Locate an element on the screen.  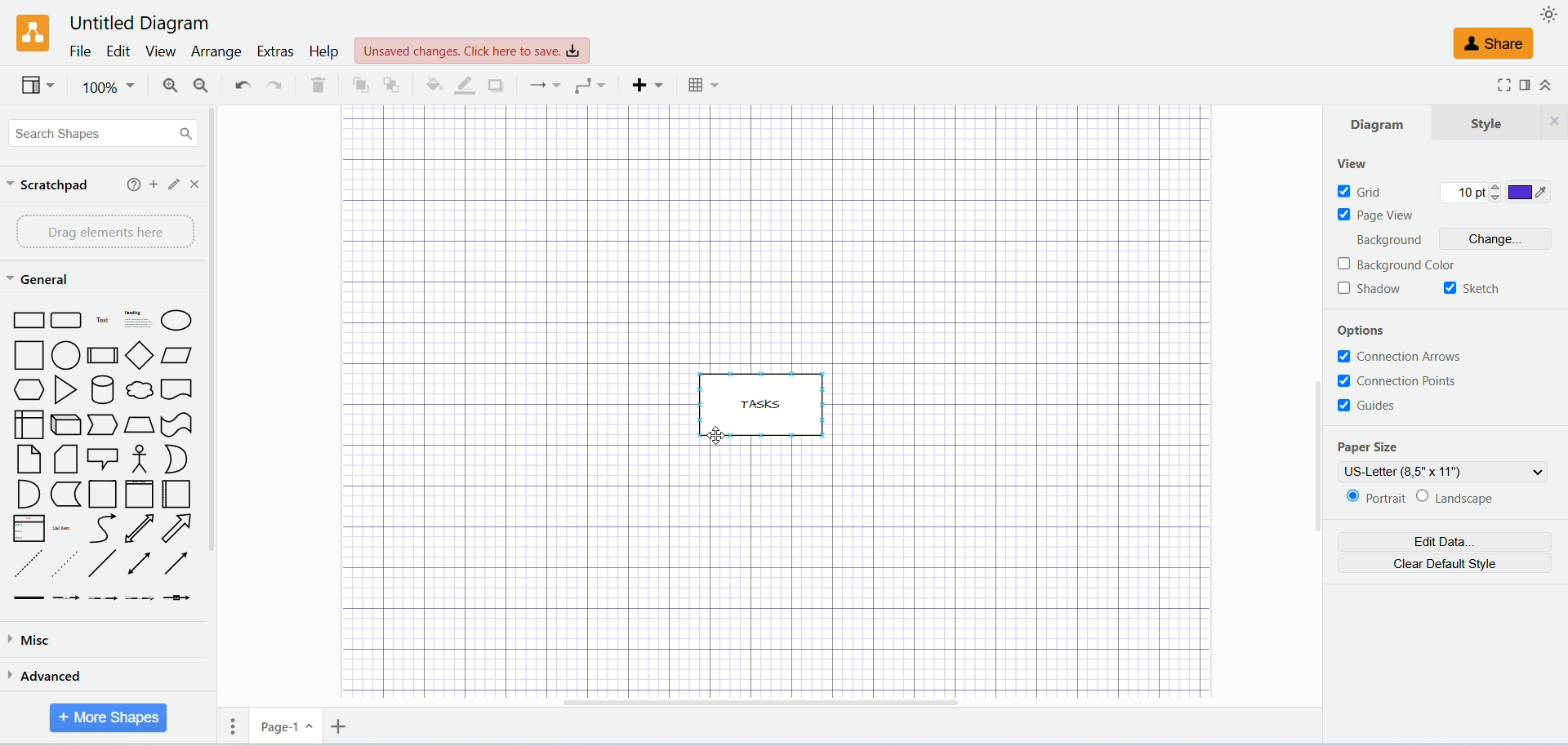
Horizantal Container is located at coordinates (177, 495).